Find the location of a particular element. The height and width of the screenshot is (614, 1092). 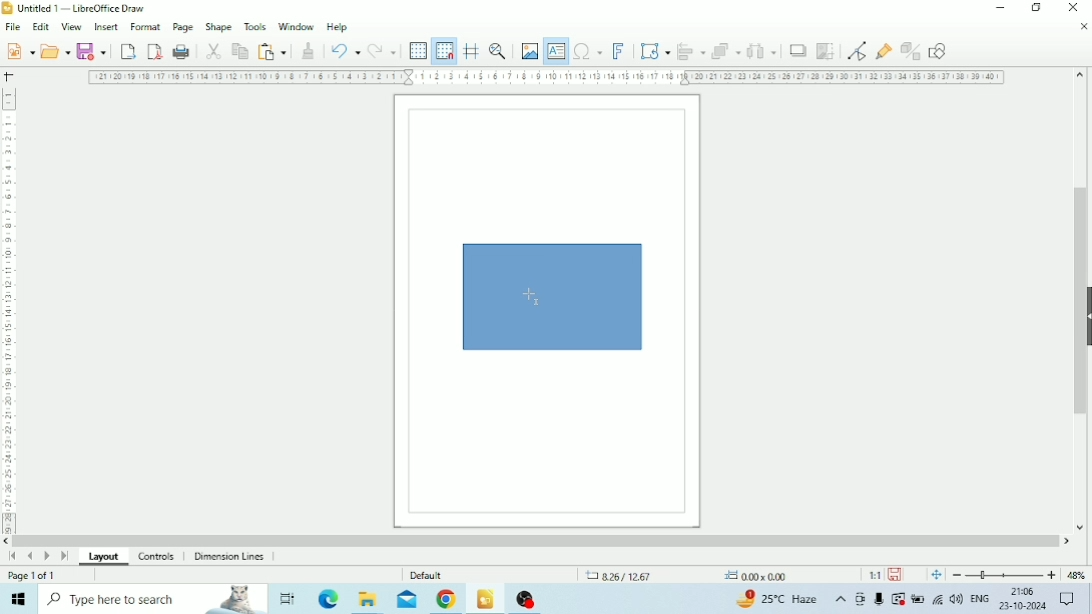

Show is located at coordinates (1085, 314).